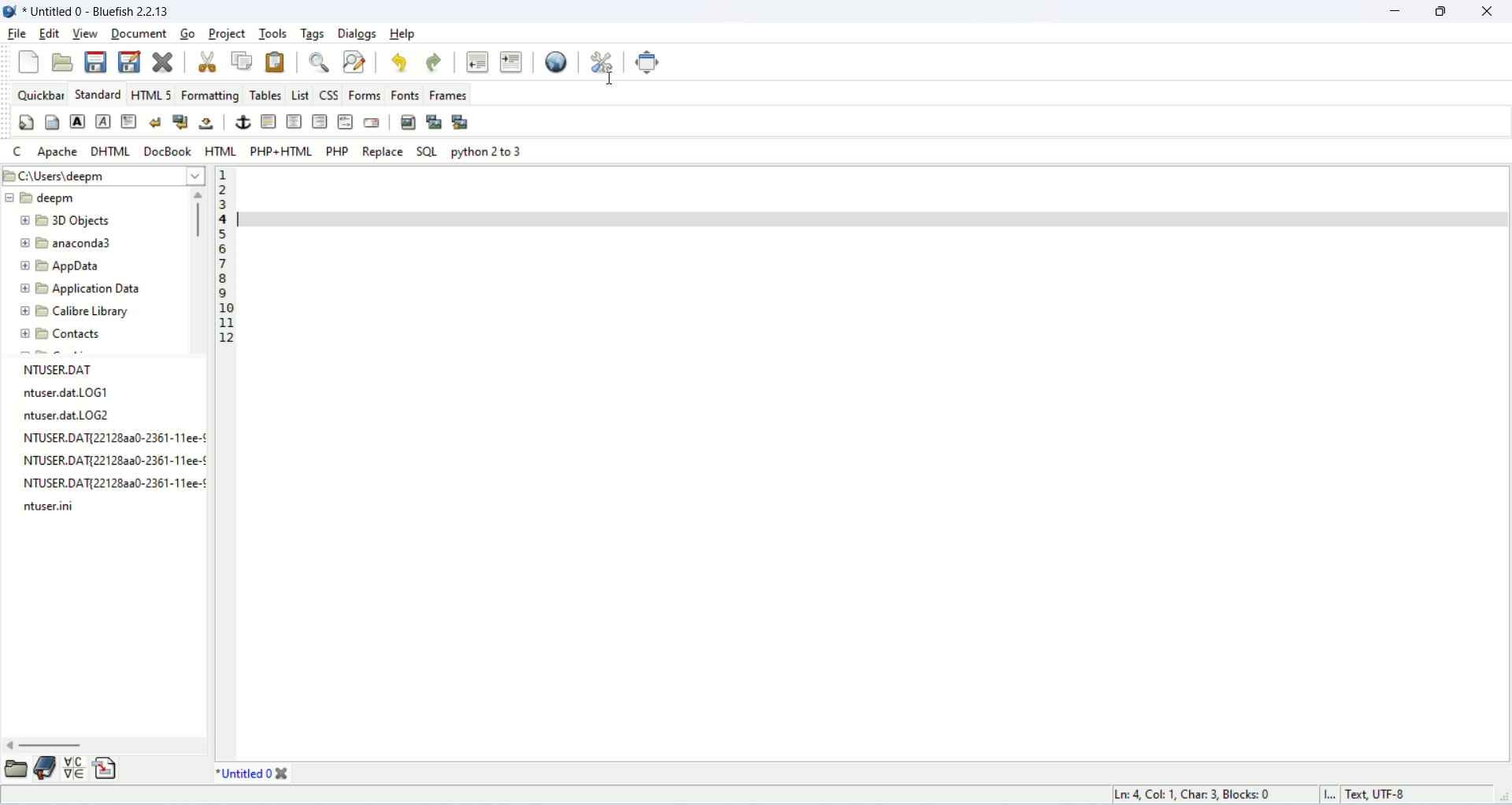  What do you see at coordinates (111, 153) in the screenshot?
I see `DHTML` at bounding box center [111, 153].